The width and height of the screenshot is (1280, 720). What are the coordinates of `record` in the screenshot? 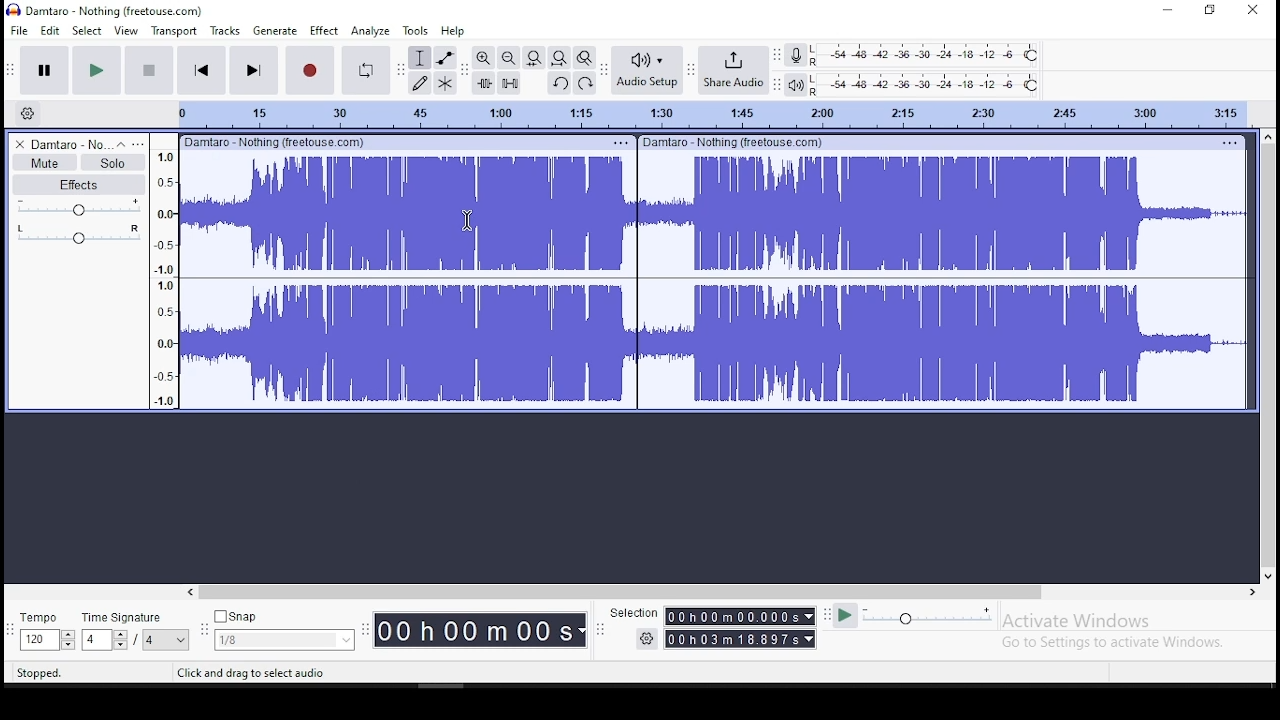 It's located at (309, 69).